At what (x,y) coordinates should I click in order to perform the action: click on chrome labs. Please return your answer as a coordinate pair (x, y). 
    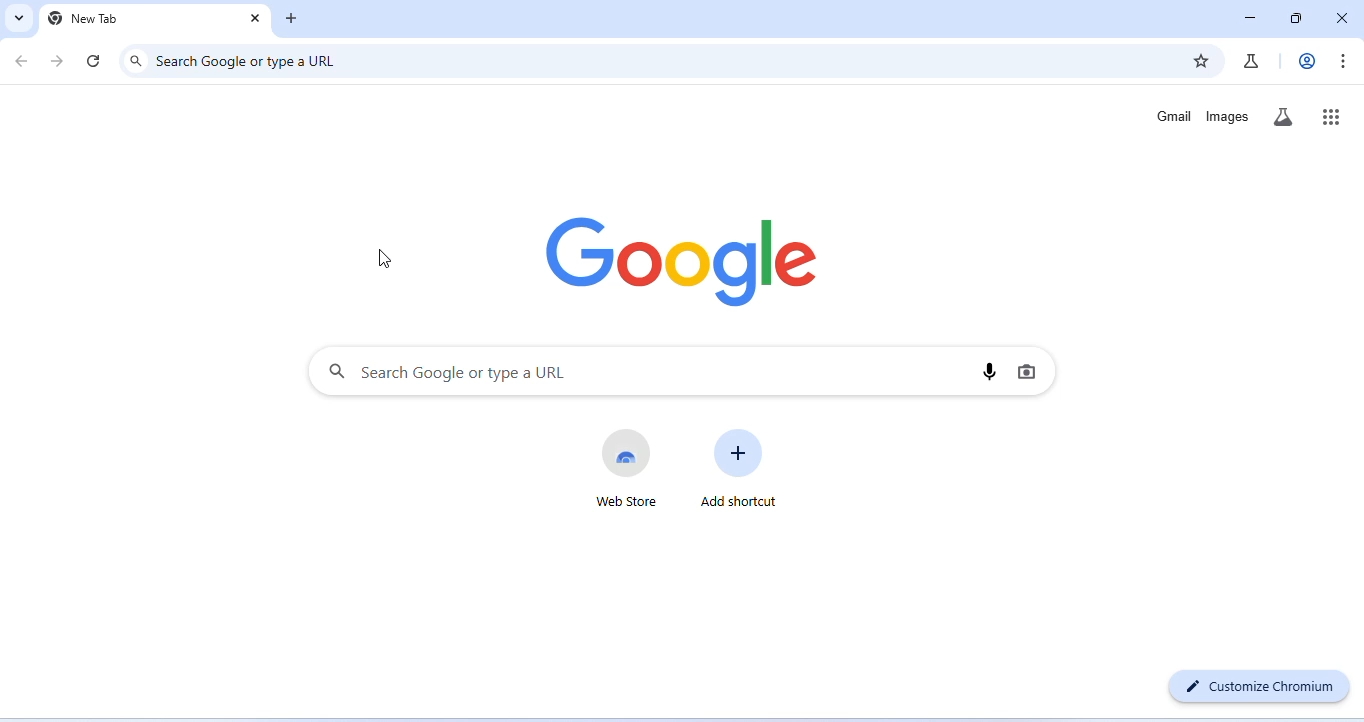
    Looking at the image, I should click on (1251, 60).